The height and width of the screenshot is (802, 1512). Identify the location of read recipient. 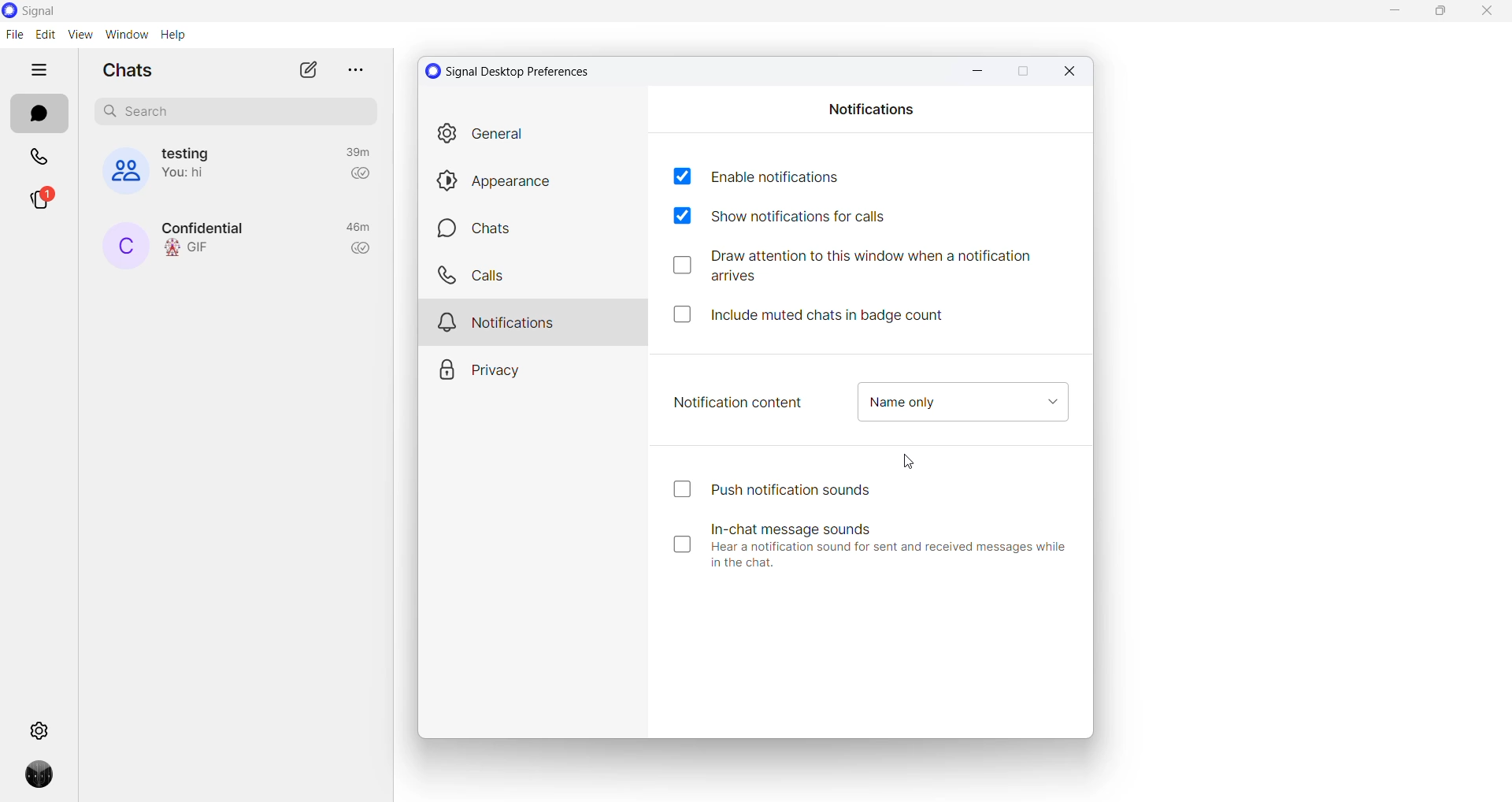
(362, 250).